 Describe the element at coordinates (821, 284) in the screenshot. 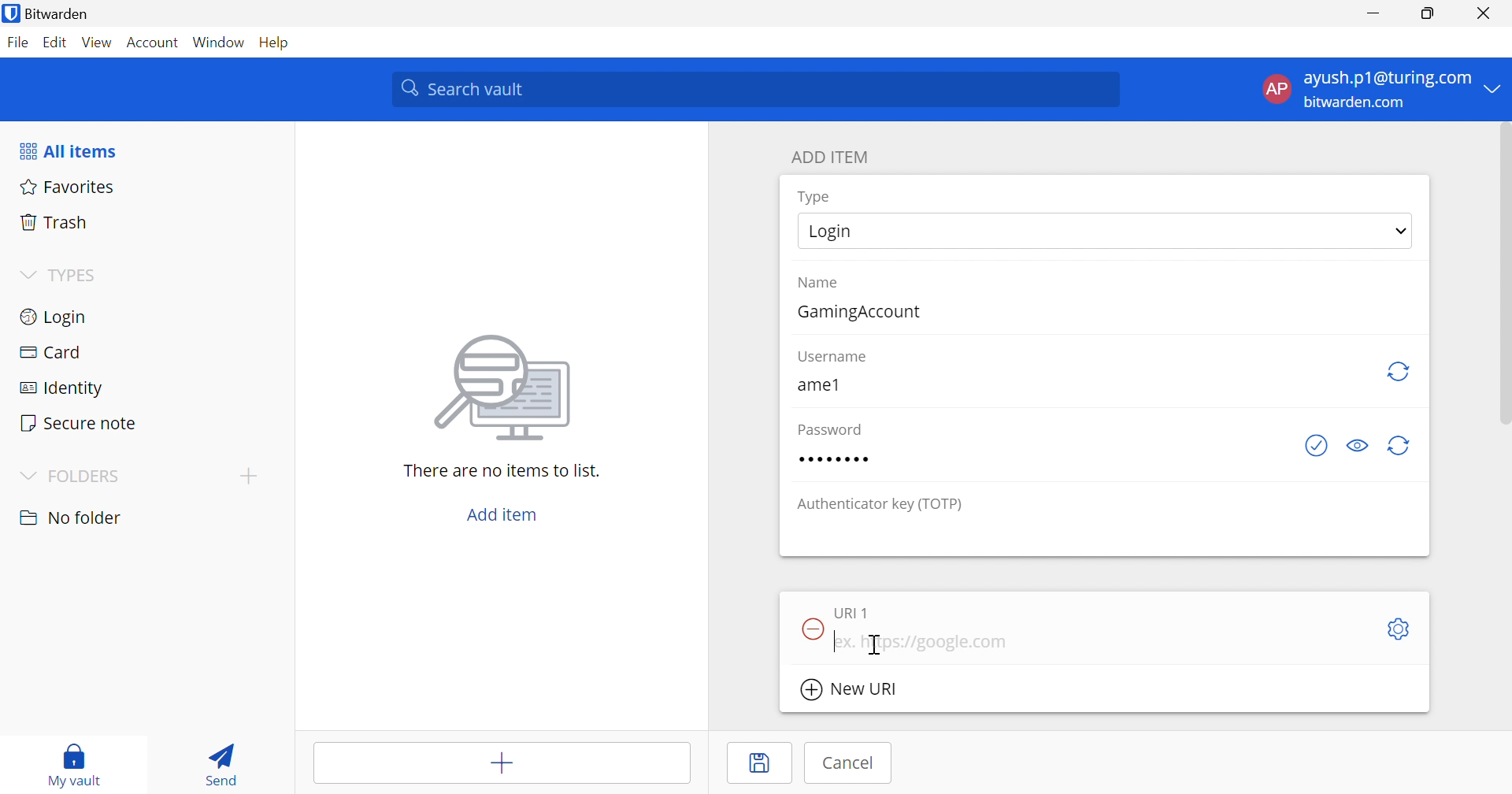

I see `Name` at that location.